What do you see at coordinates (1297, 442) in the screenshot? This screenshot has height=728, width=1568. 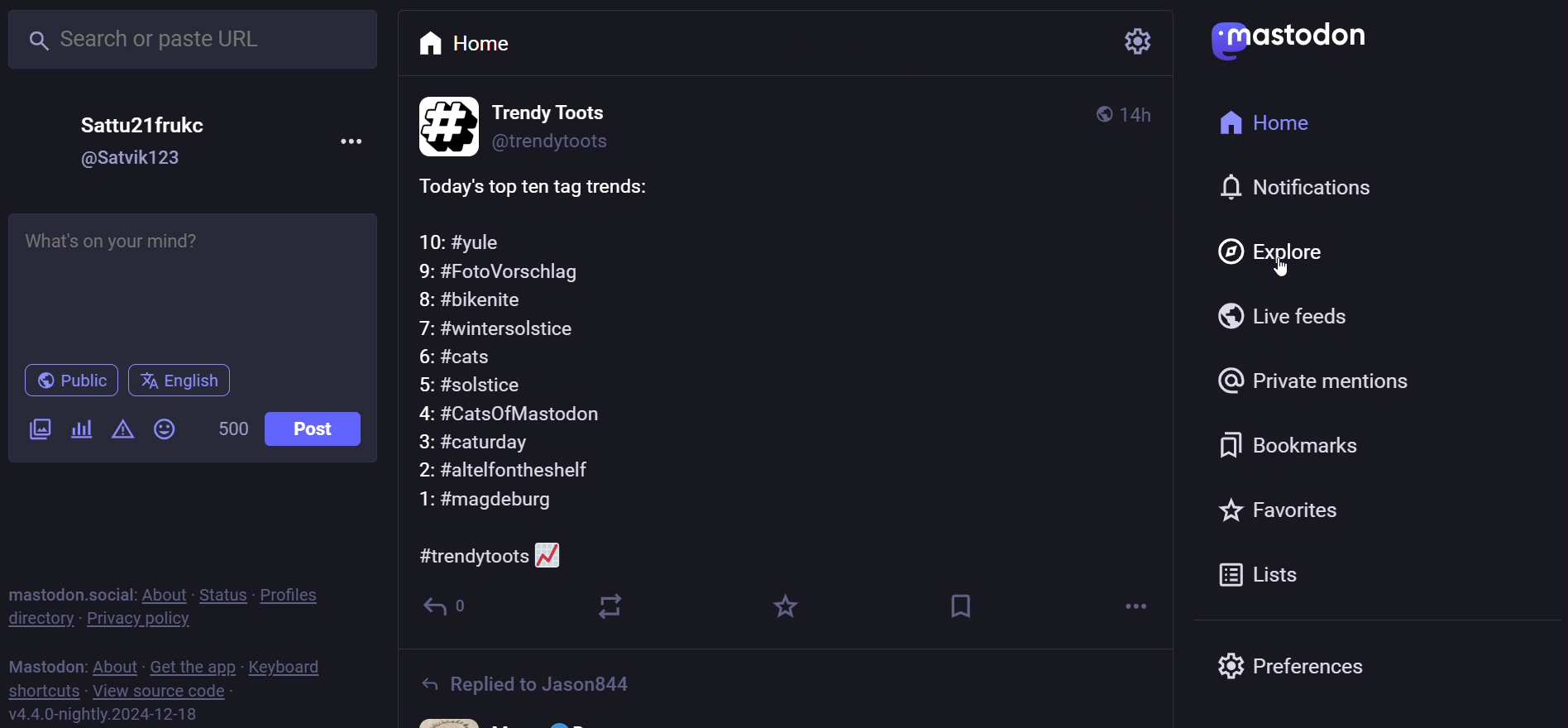 I see `bookmark` at bounding box center [1297, 442].